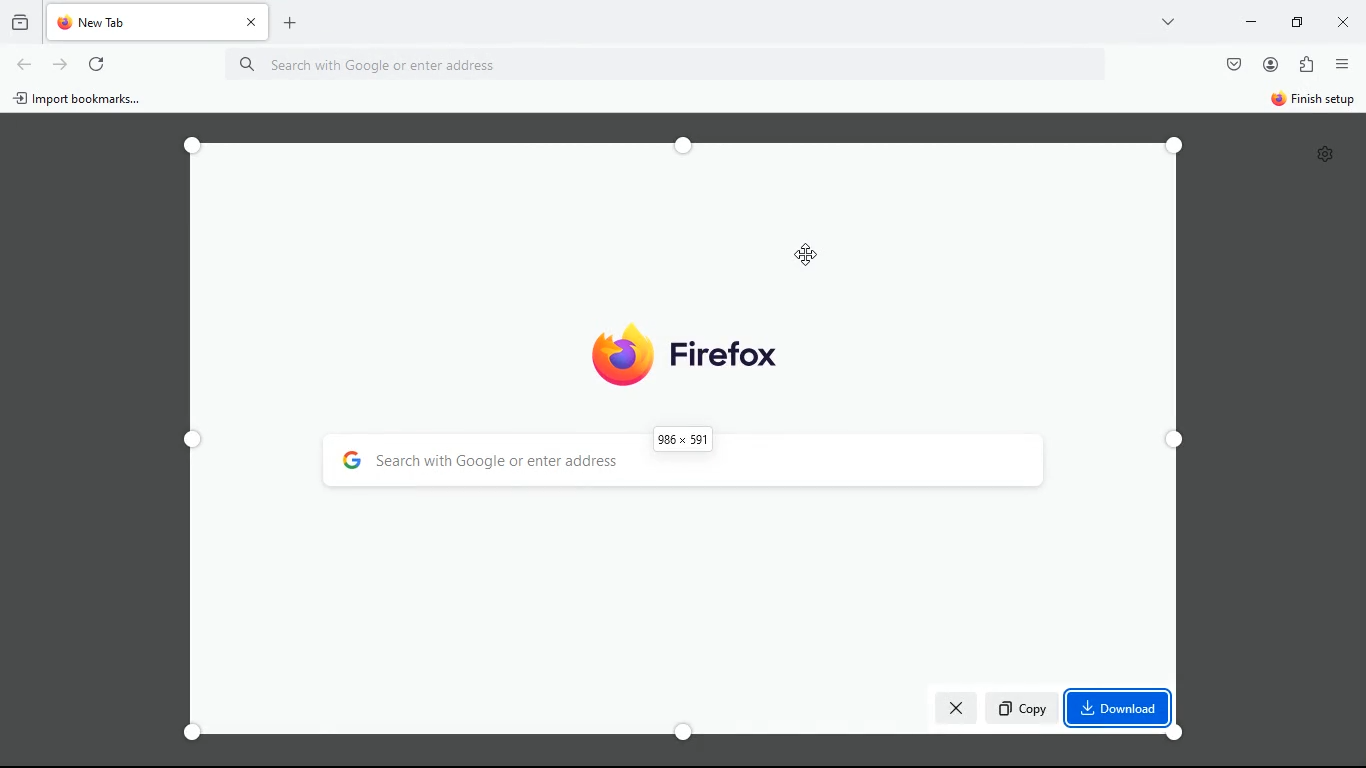  What do you see at coordinates (685, 356) in the screenshot?
I see `Firefox` at bounding box center [685, 356].